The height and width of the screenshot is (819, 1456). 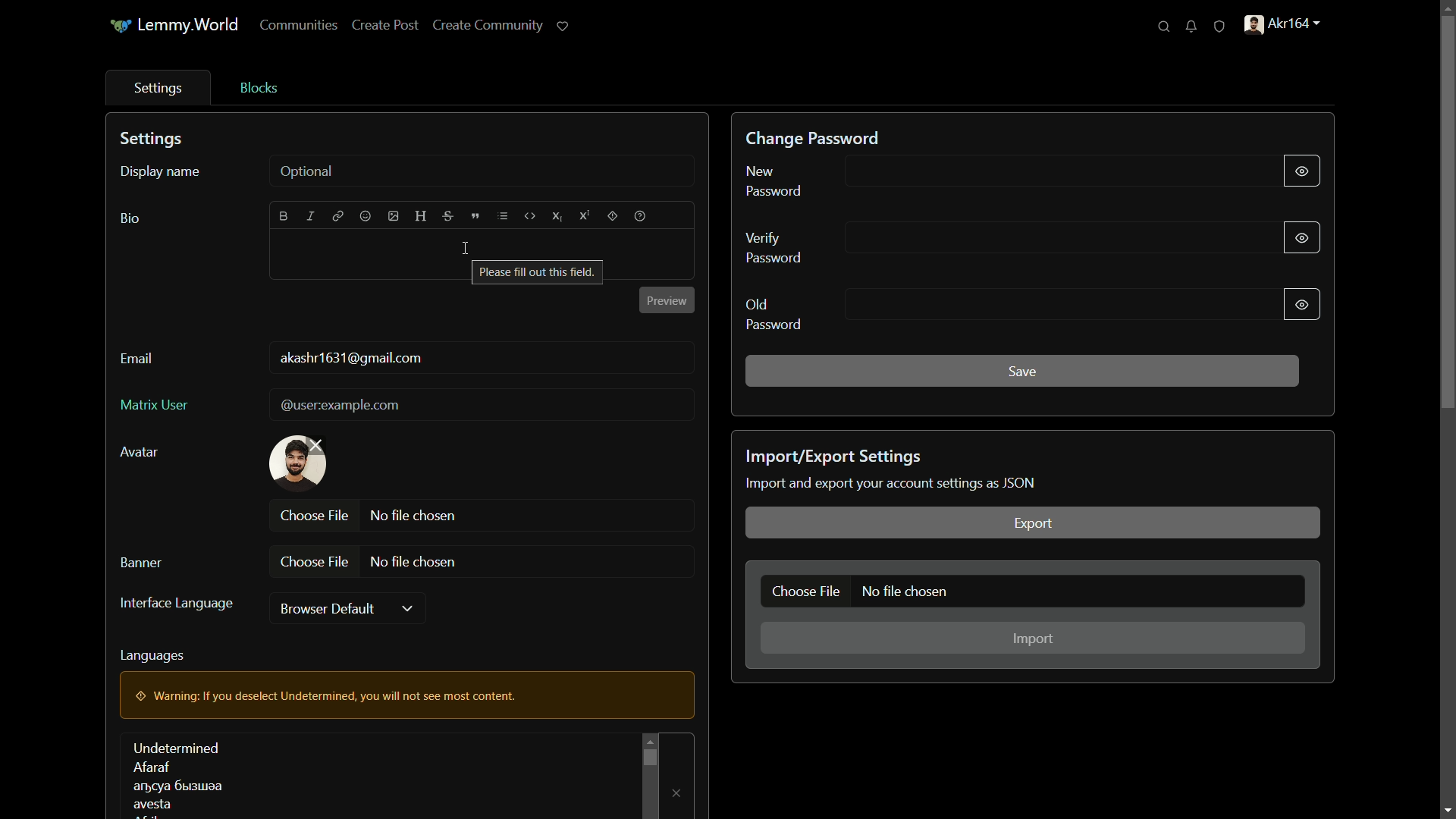 I want to click on blocks tab, so click(x=259, y=89).